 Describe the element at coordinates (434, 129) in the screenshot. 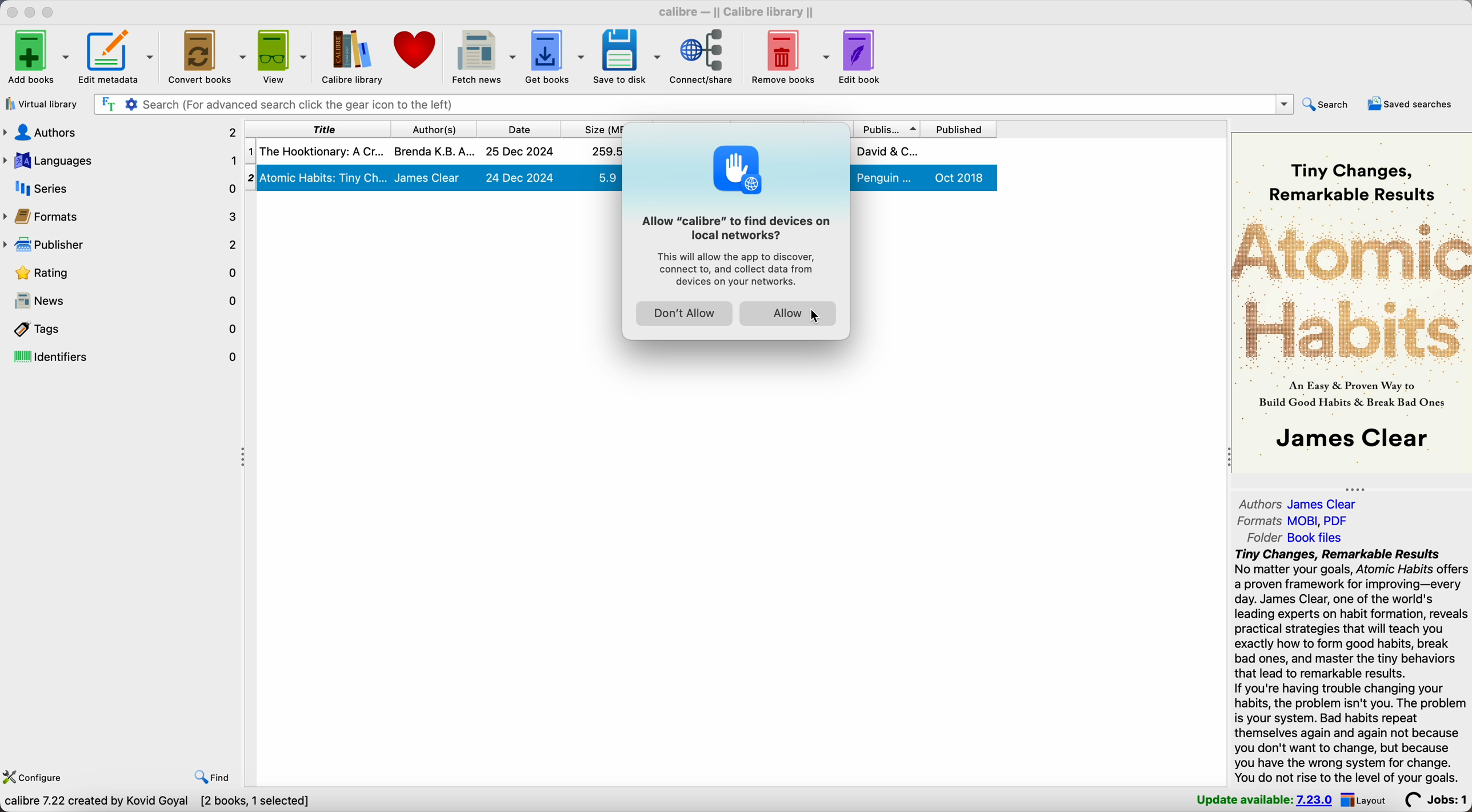

I see `author(s)` at that location.